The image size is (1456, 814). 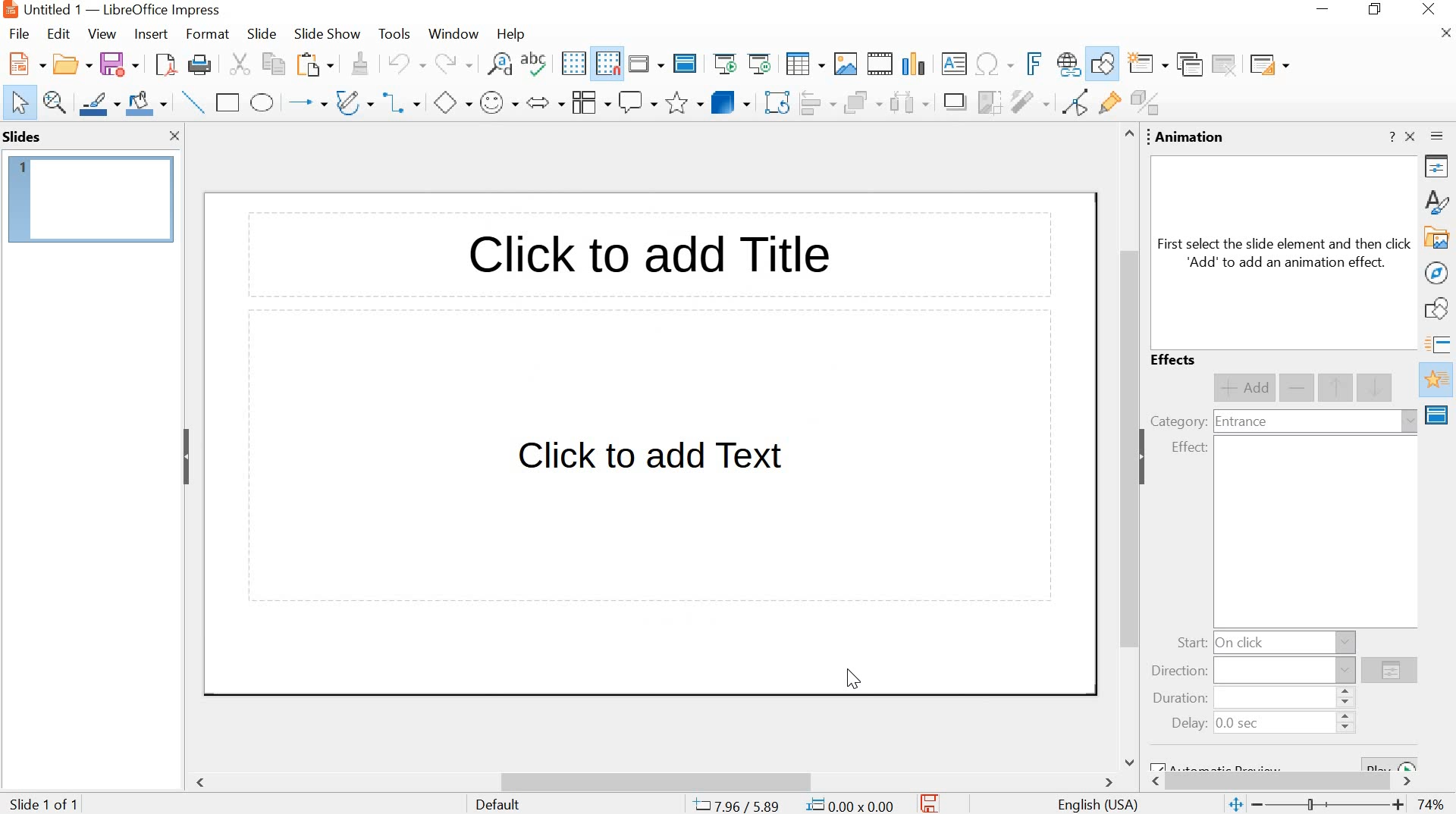 What do you see at coordinates (451, 105) in the screenshot?
I see `basic shapes` at bounding box center [451, 105].